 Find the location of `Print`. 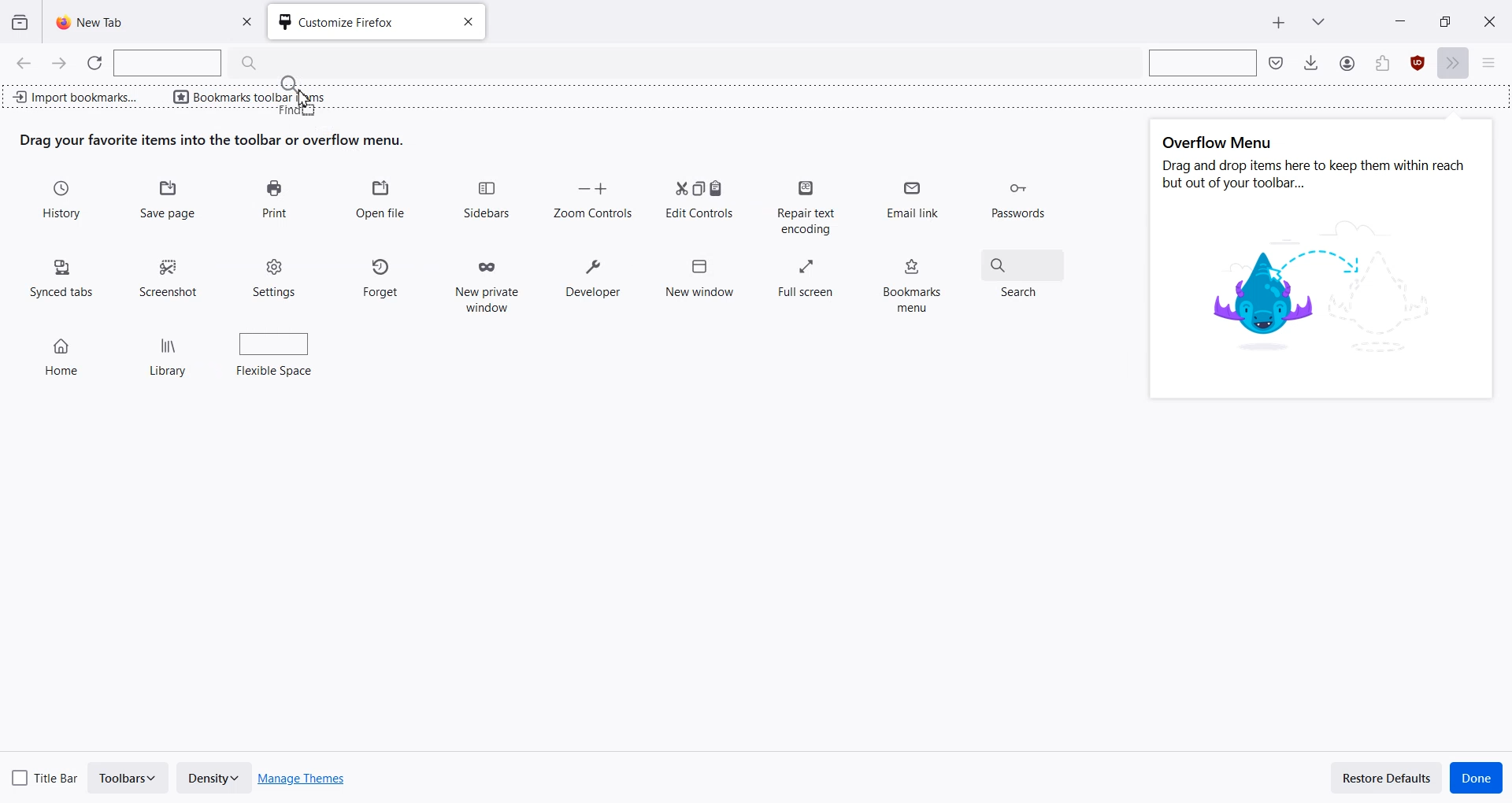

Print is located at coordinates (274, 200).